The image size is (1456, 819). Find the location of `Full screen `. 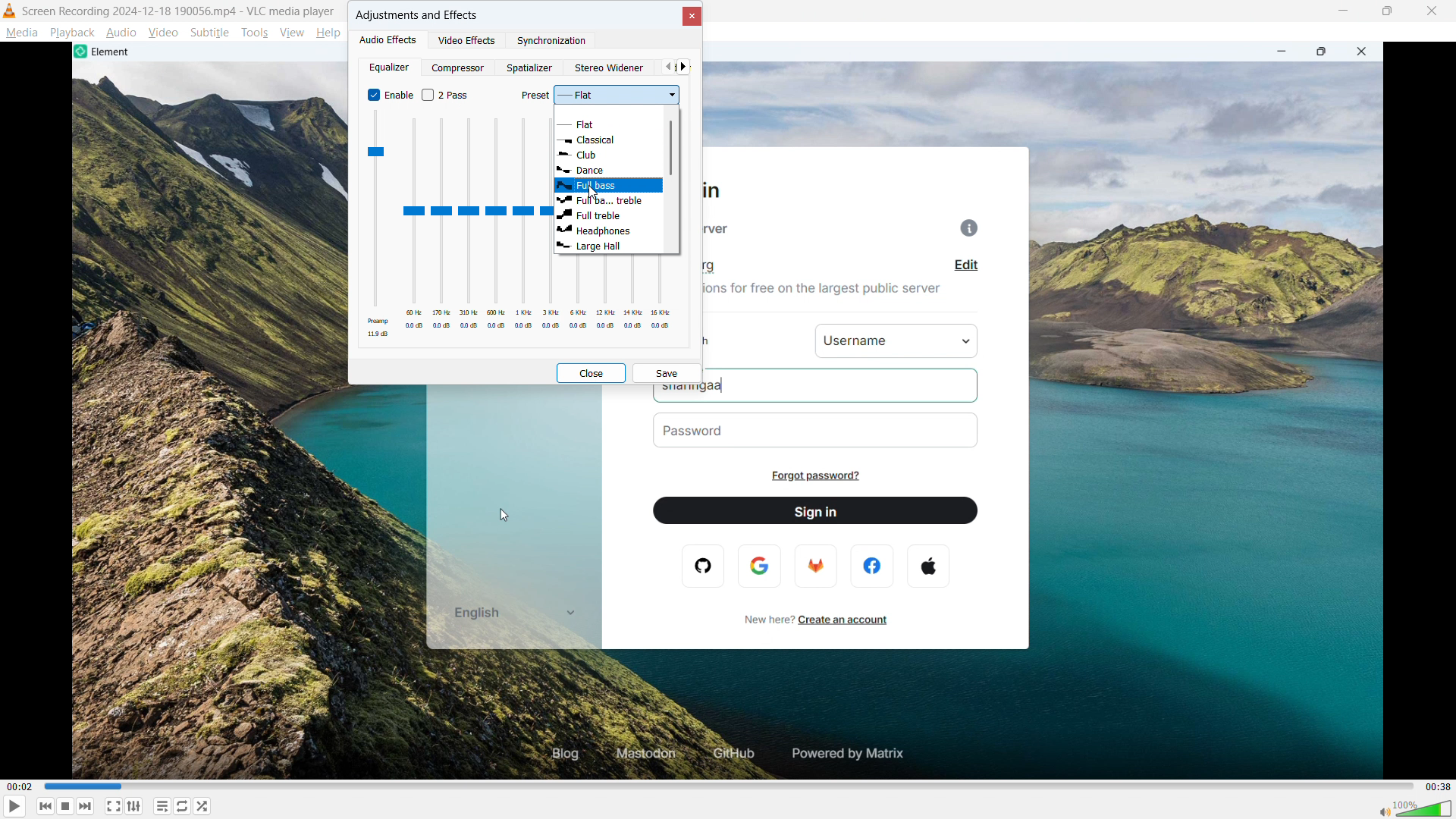

Full screen  is located at coordinates (120, 806).